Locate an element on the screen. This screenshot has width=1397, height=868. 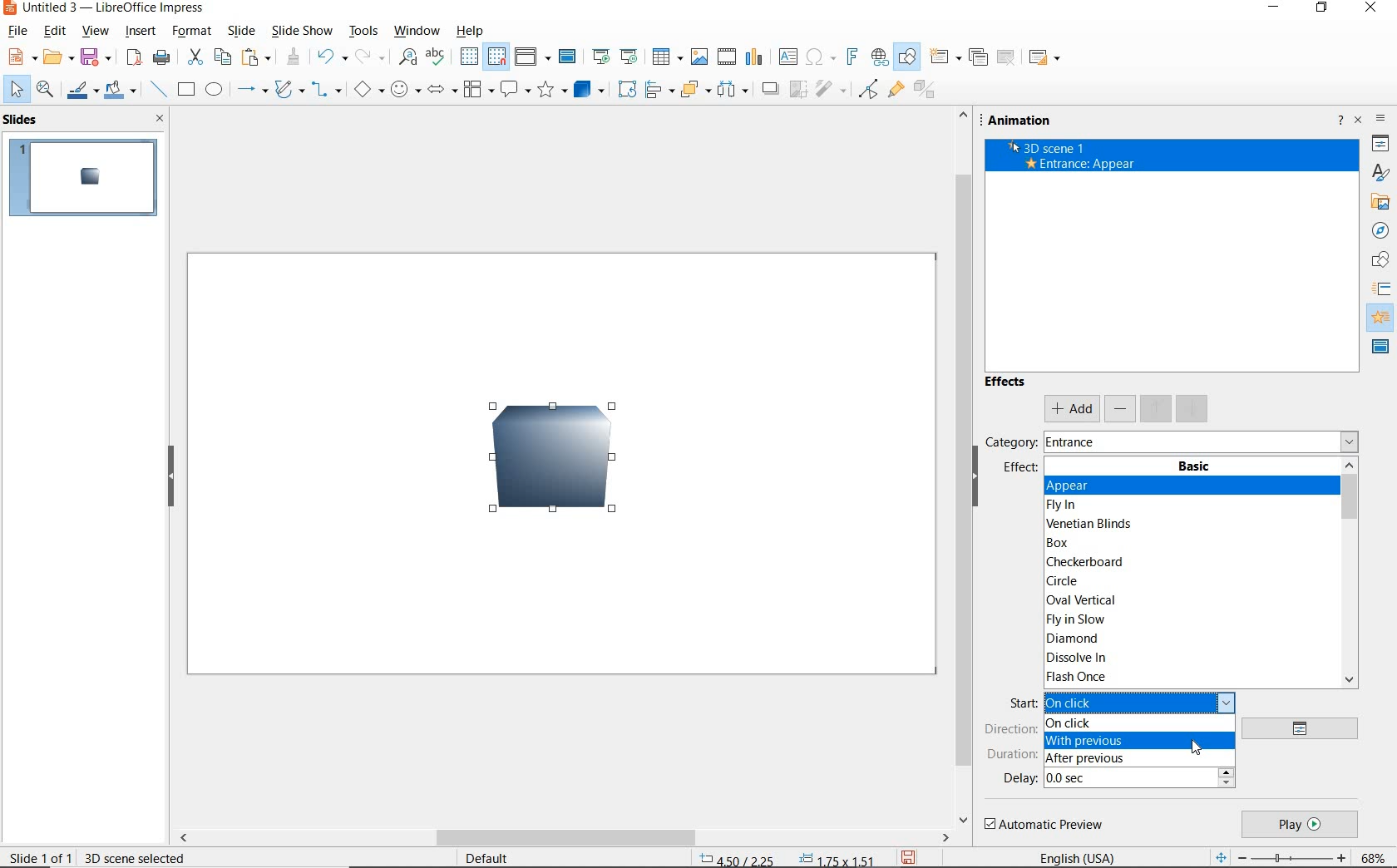
window is located at coordinates (415, 31).